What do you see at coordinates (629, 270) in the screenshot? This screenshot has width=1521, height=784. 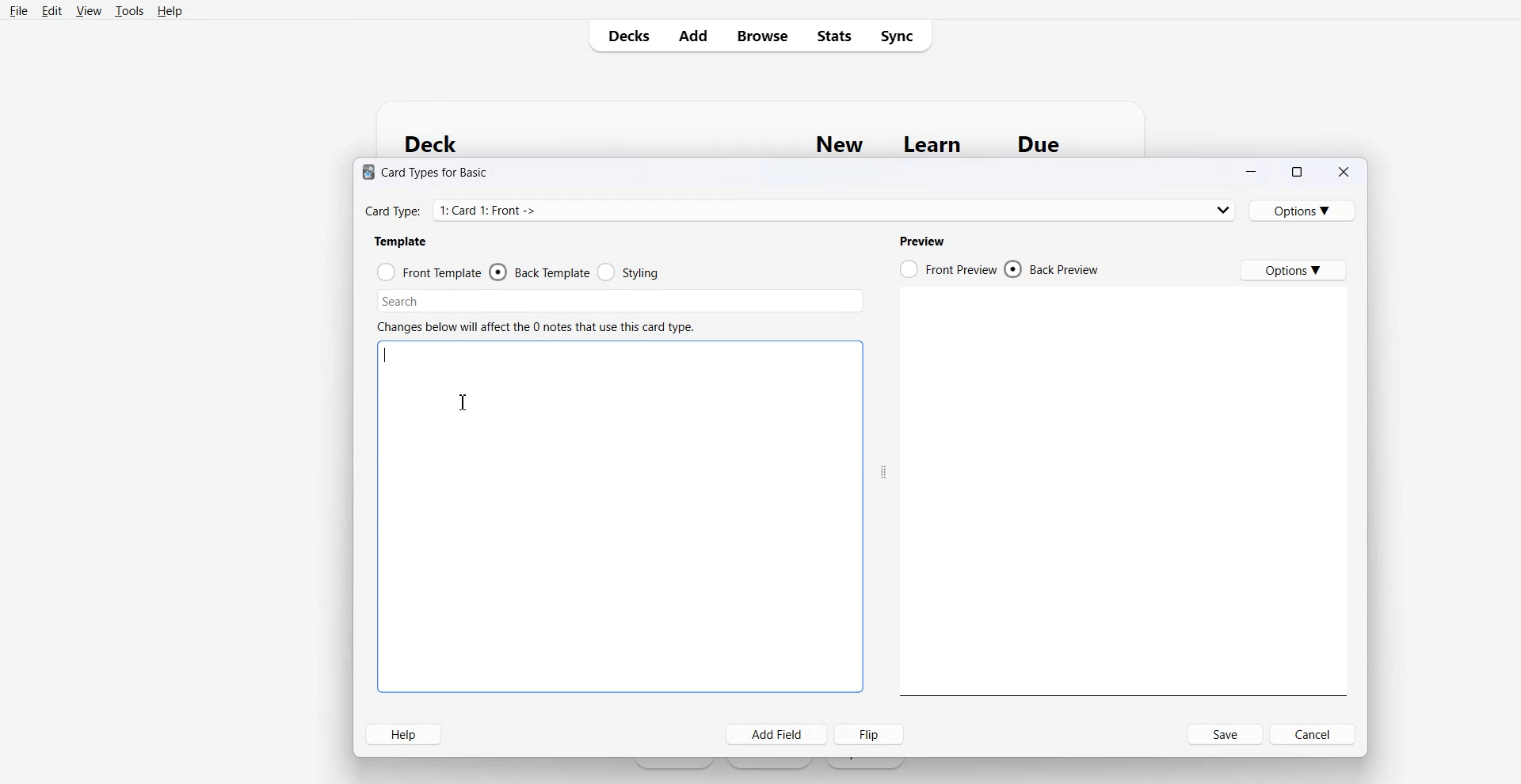 I see `Styling` at bounding box center [629, 270].